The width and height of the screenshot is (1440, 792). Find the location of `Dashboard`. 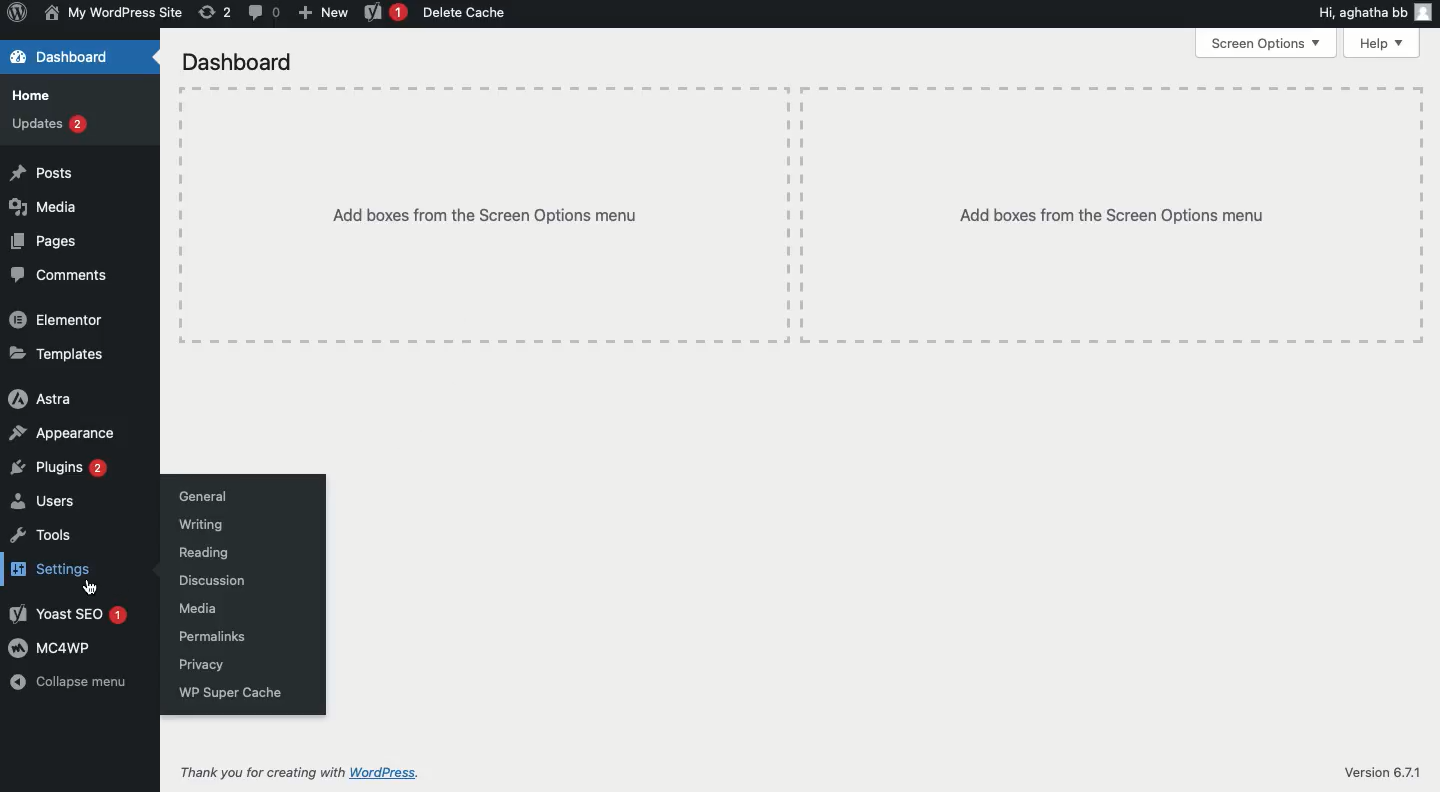

Dashboard is located at coordinates (61, 57).